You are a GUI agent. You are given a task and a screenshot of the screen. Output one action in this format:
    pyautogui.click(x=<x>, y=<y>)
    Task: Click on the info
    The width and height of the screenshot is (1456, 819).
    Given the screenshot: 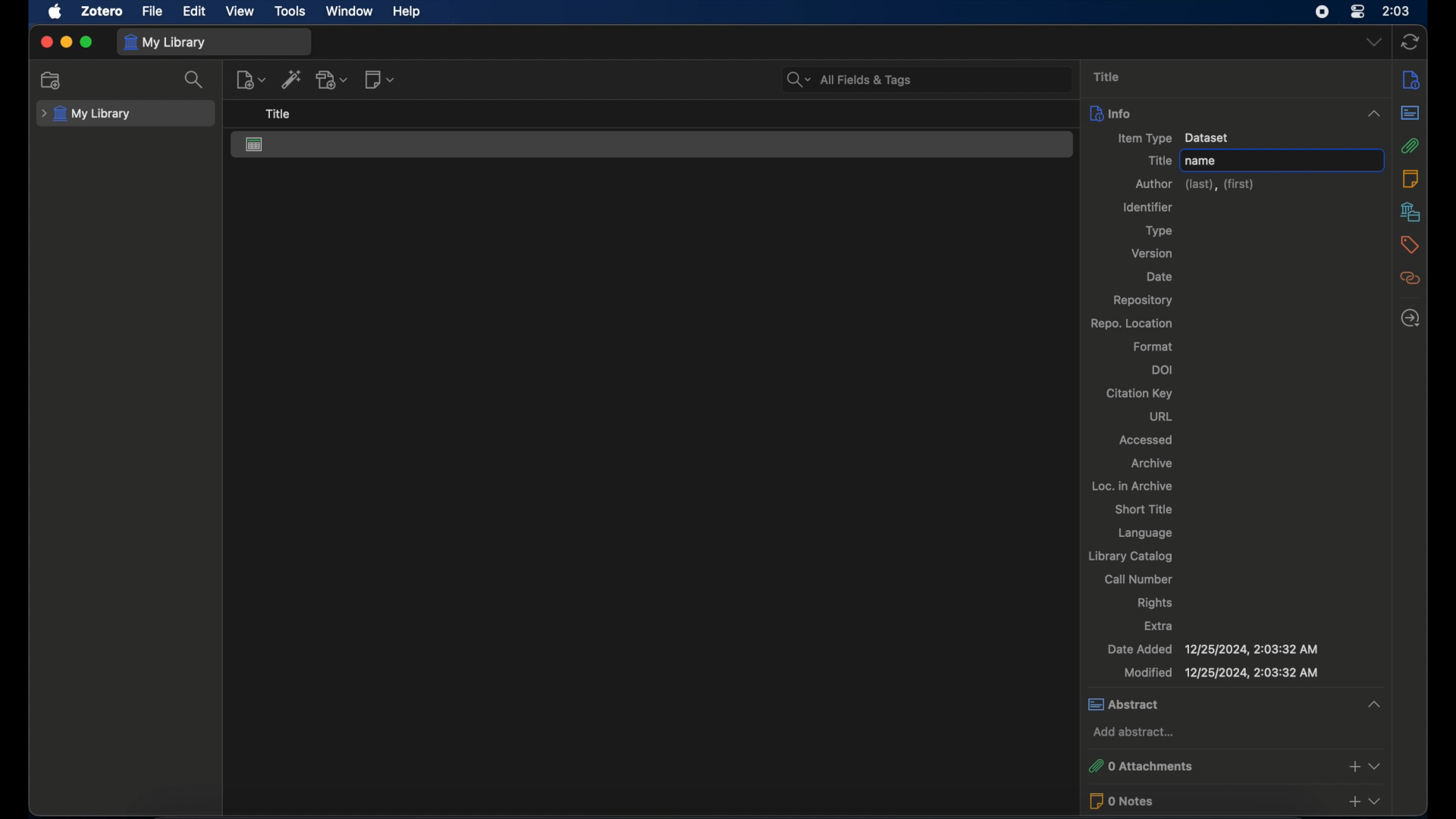 What is the action you would take?
    pyautogui.click(x=1235, y=113)
    